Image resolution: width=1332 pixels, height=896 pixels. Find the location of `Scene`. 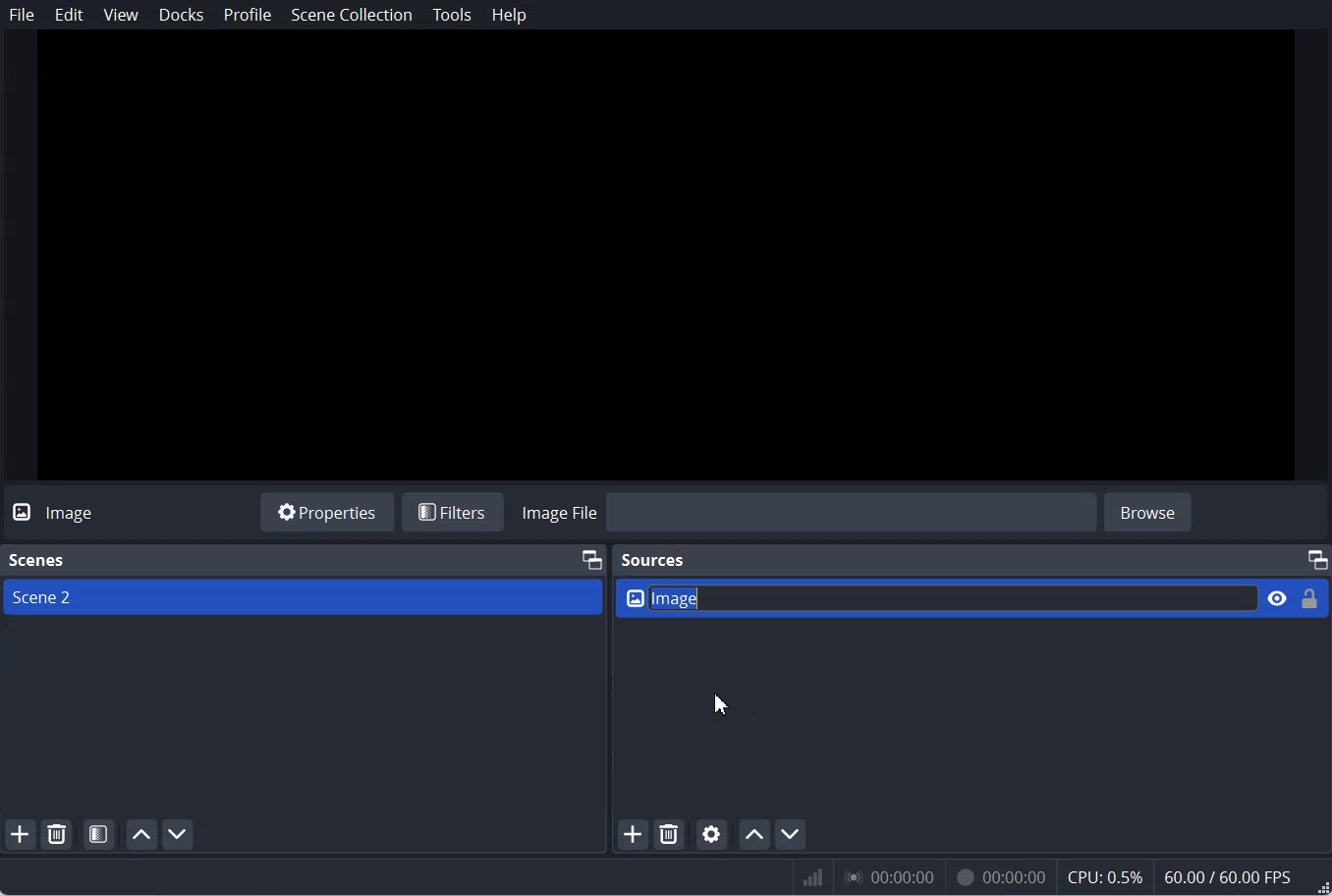

Scene is located at coordinates (303, 597).